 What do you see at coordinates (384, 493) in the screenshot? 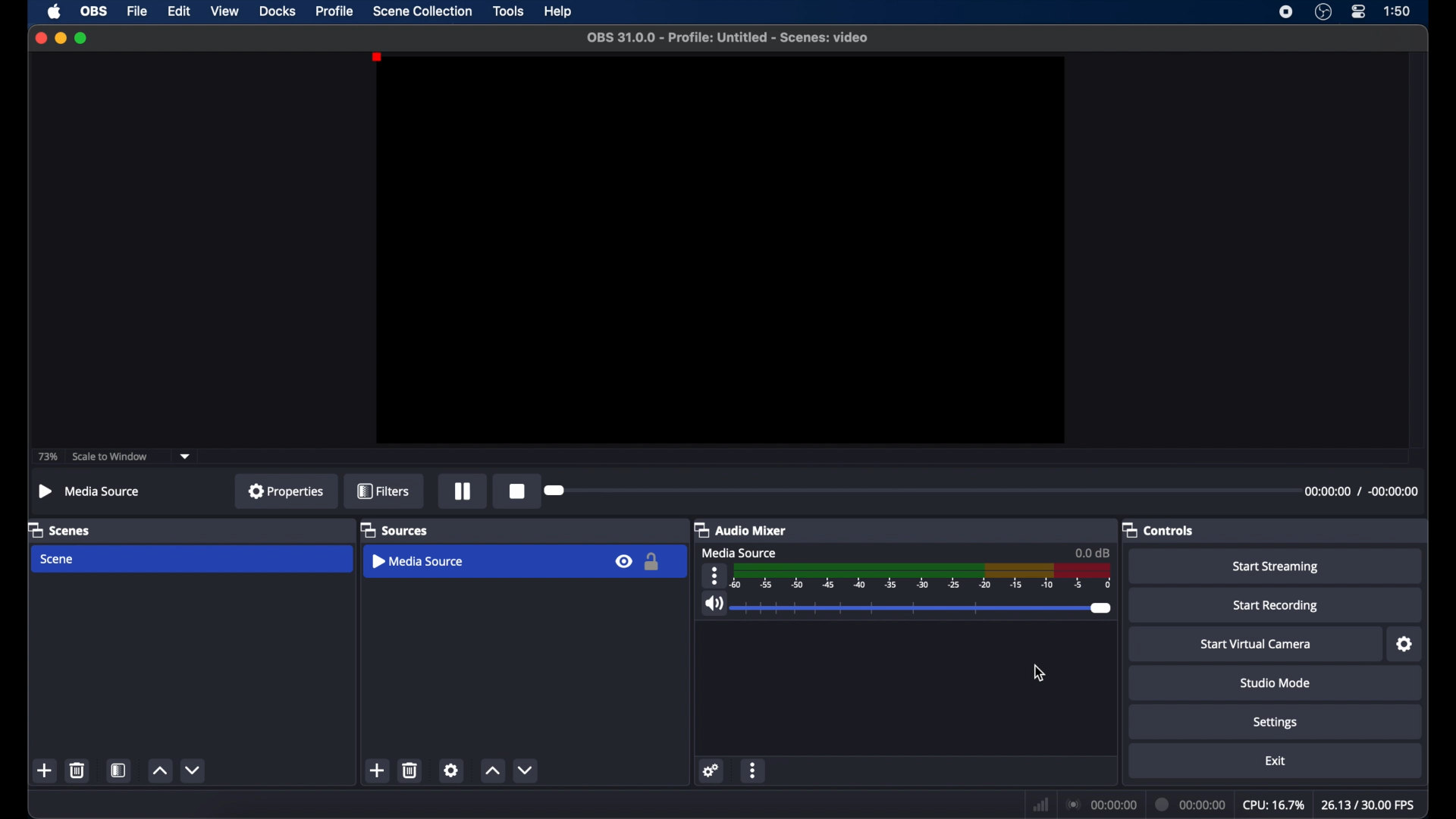
I see `Filters` at bounding box center [384, 493].